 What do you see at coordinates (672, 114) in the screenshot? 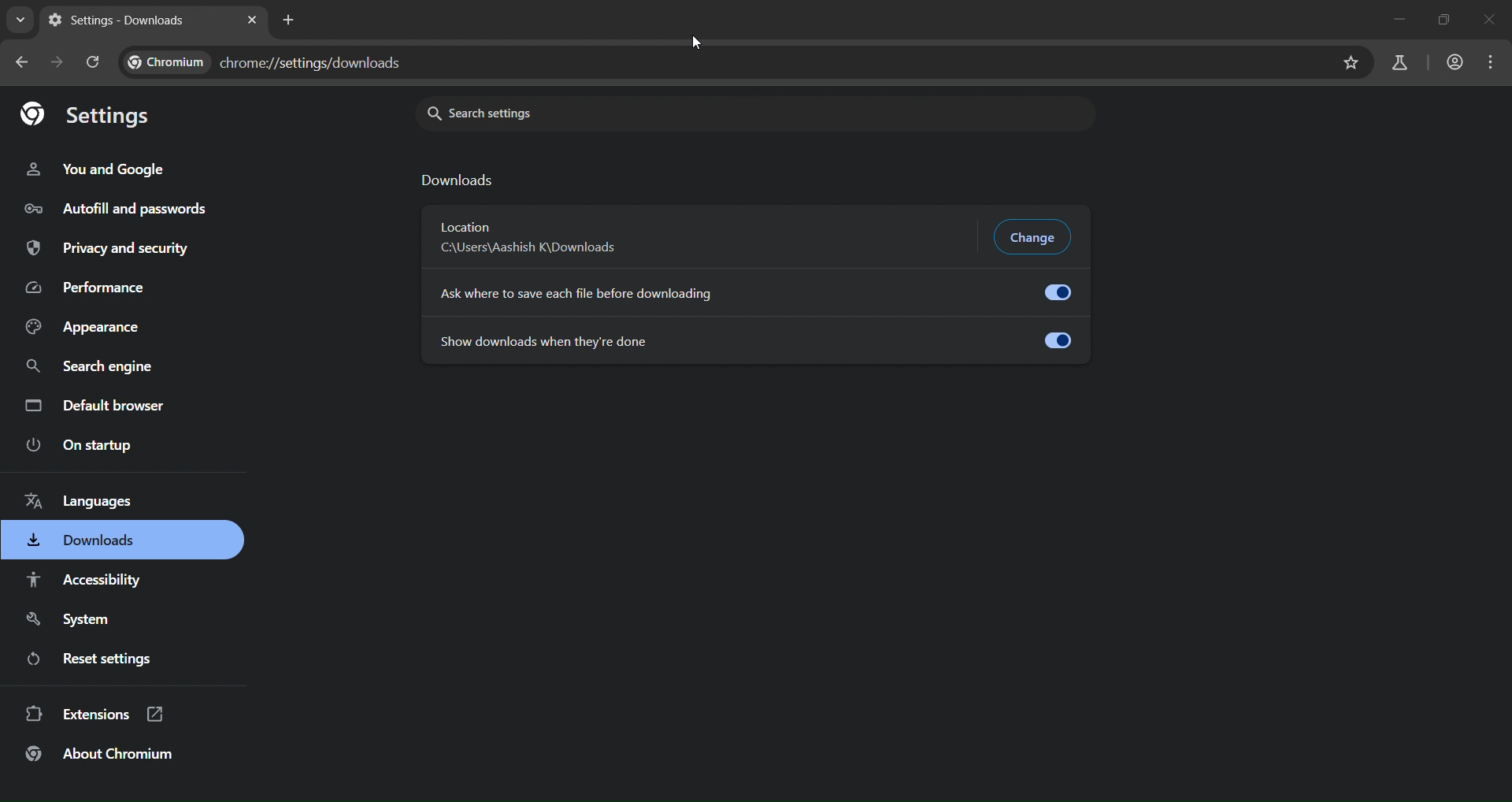
I see `search settings` at bounding box center [672, 114].